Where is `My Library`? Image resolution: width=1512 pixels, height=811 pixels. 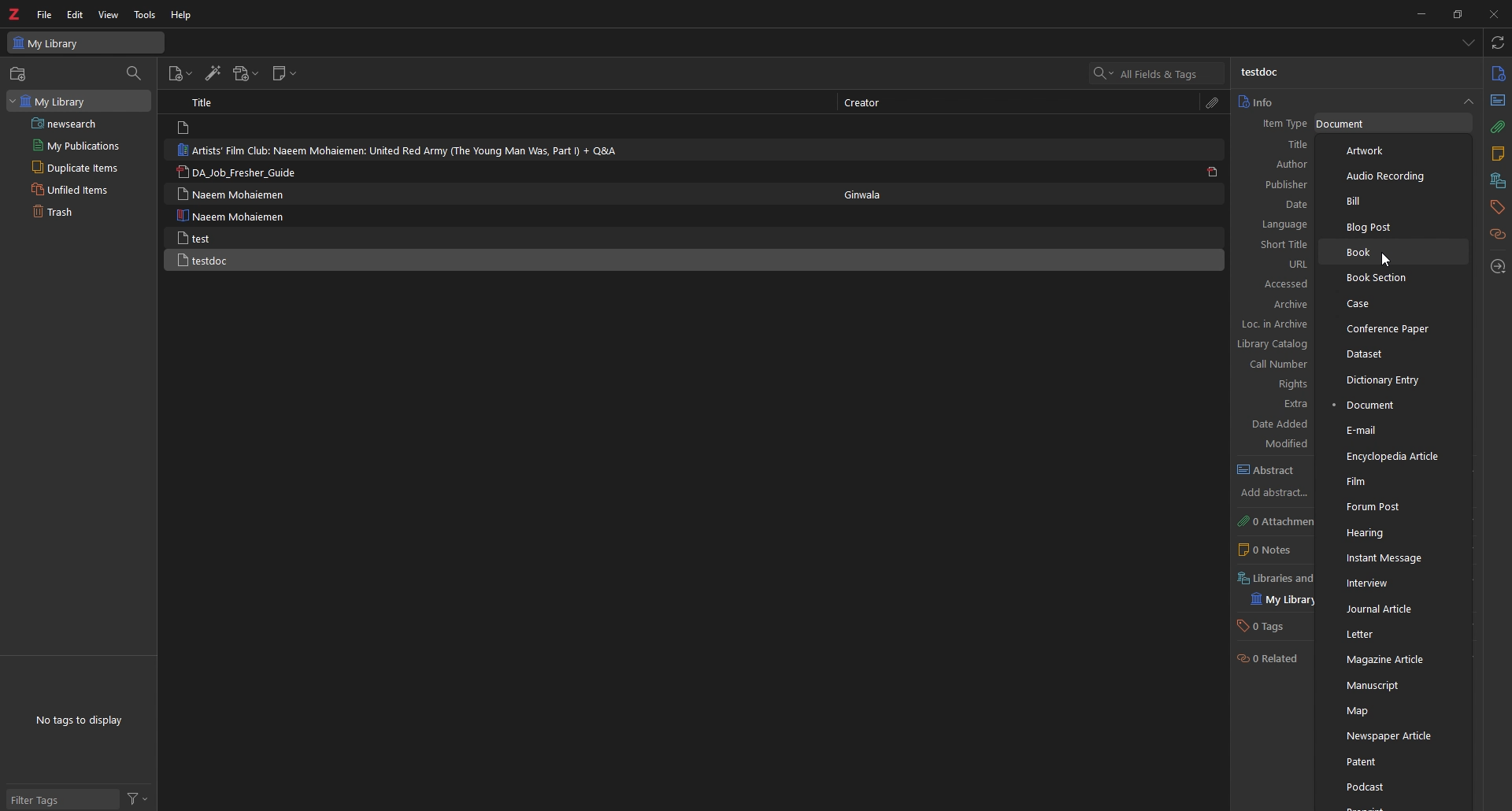 My Library is located at coordinates (79, 102).